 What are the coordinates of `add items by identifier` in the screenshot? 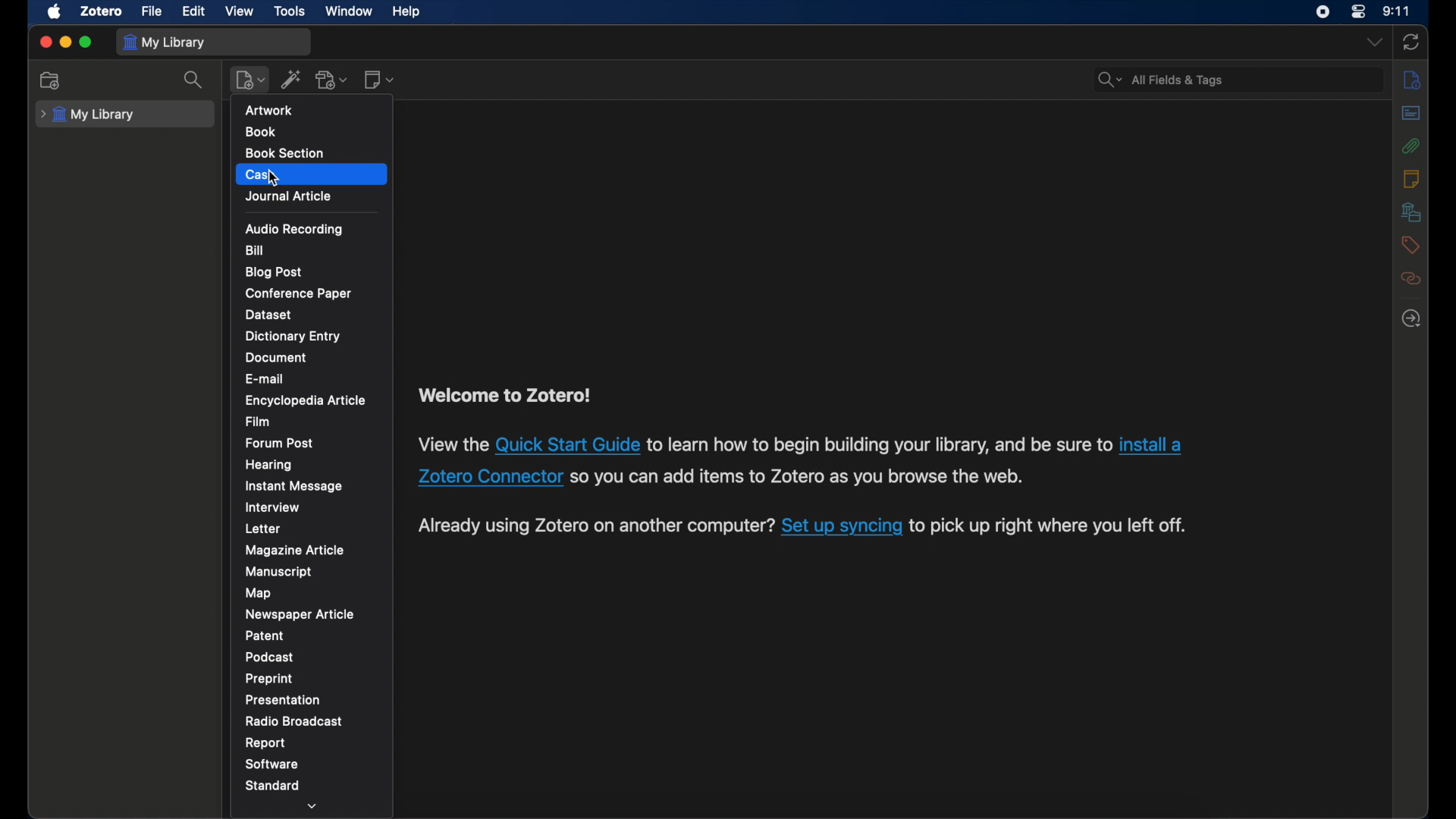 It's located at (291, 79).